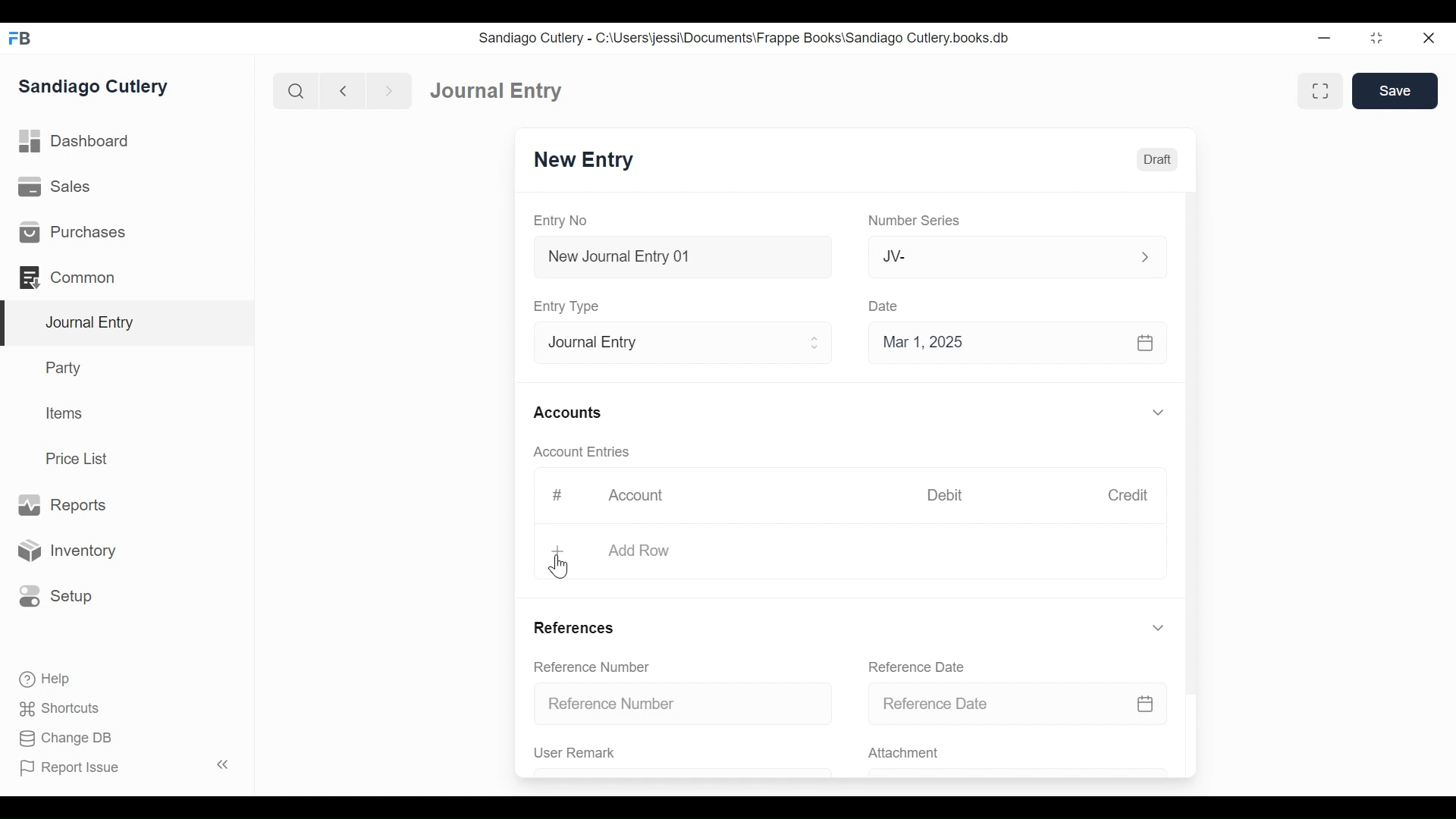 The image size is (1456, 819). Describe the element at coordinates (76, 769) in the screenshot. I see `Report Issue` at that location.